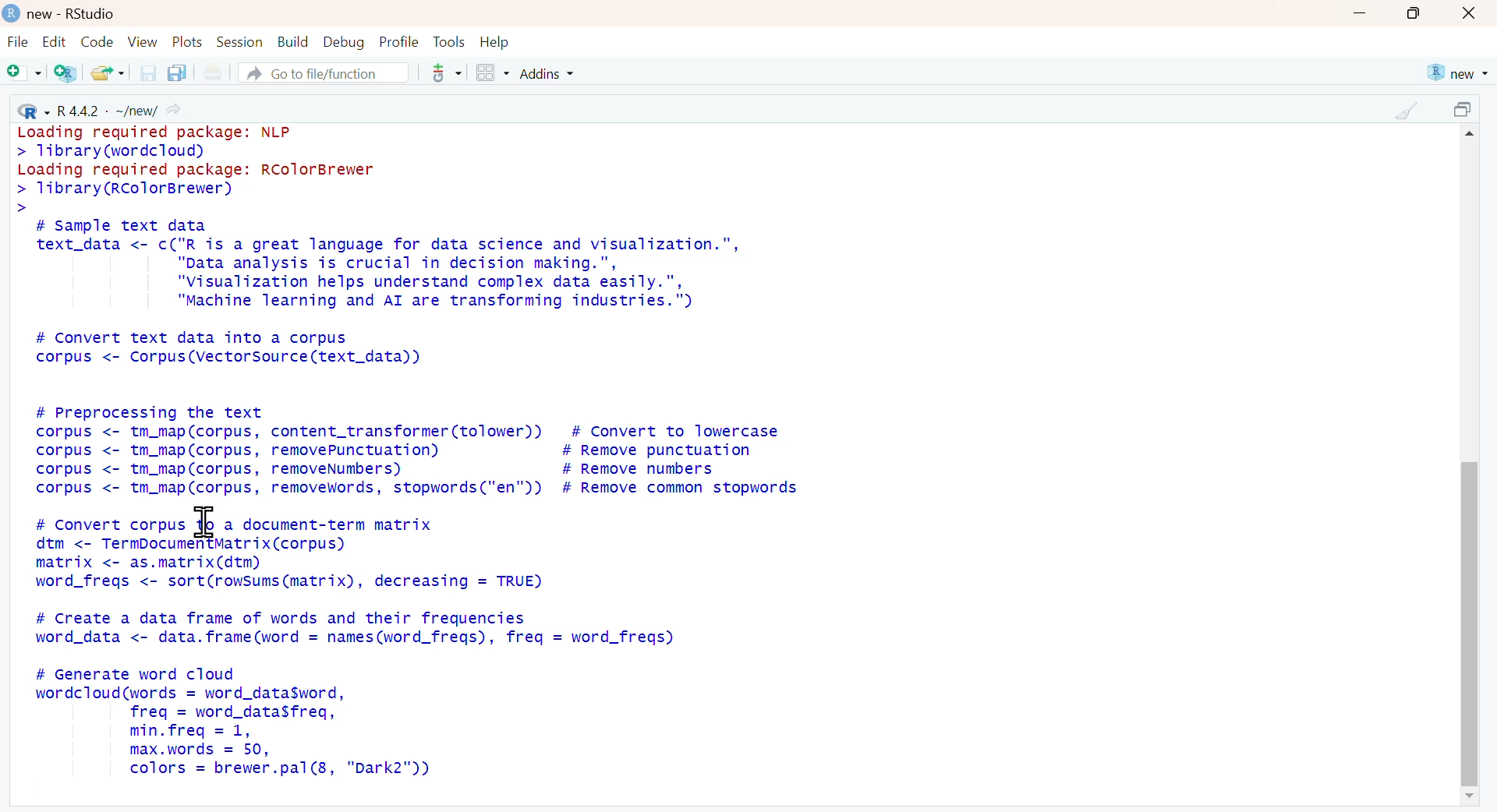 The height and width of the screenshot is (812, 1497). What do you see at coordinates (229, 349) in the screenshot?
I see `# Convert text data into a corpus
corpus <- Corpus(VectorSource(text_data))` at bounding box center [229, 349].